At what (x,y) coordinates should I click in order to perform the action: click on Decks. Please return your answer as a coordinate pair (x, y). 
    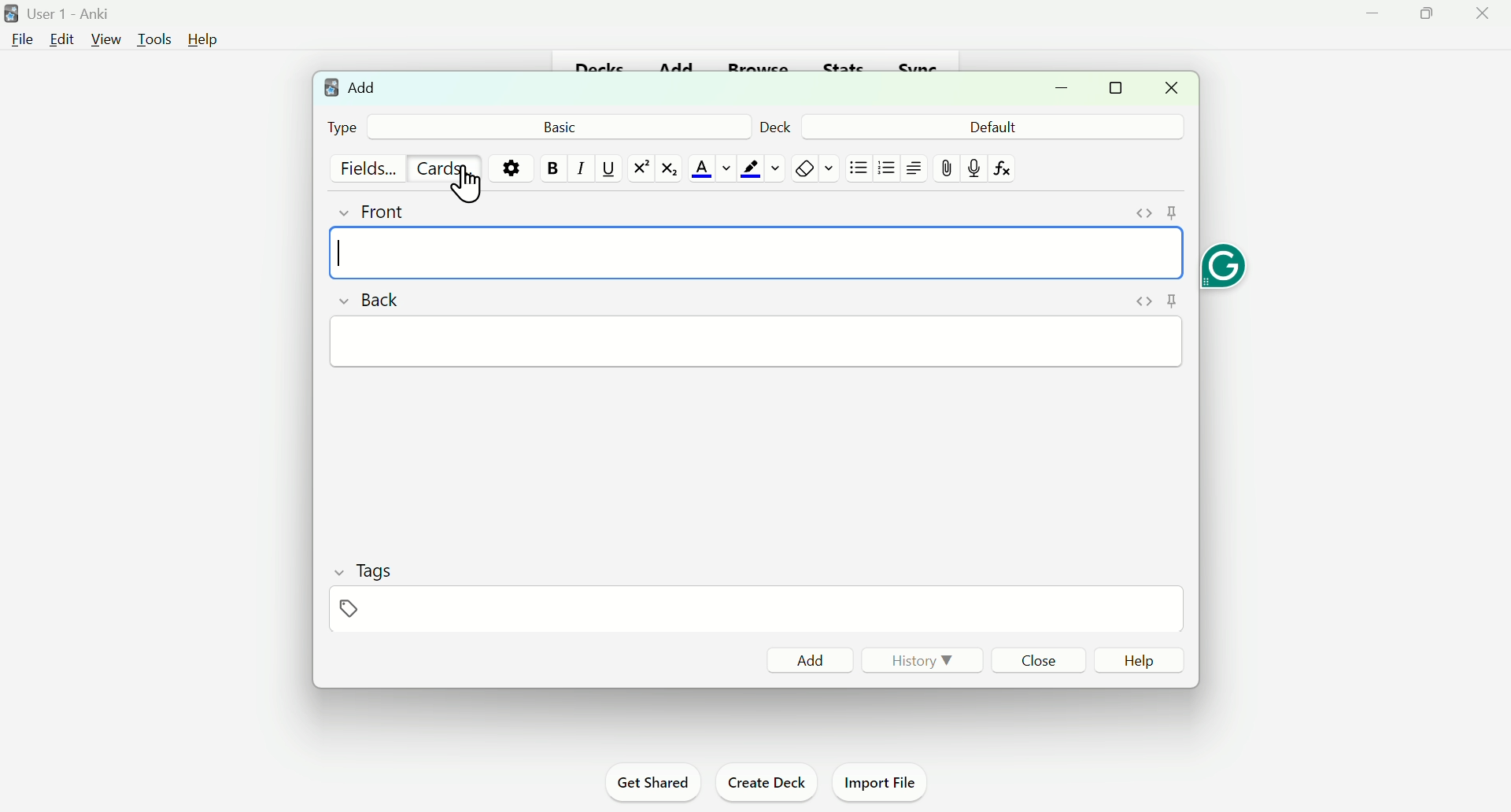
    Looking at the image, I should click on (603, 62).